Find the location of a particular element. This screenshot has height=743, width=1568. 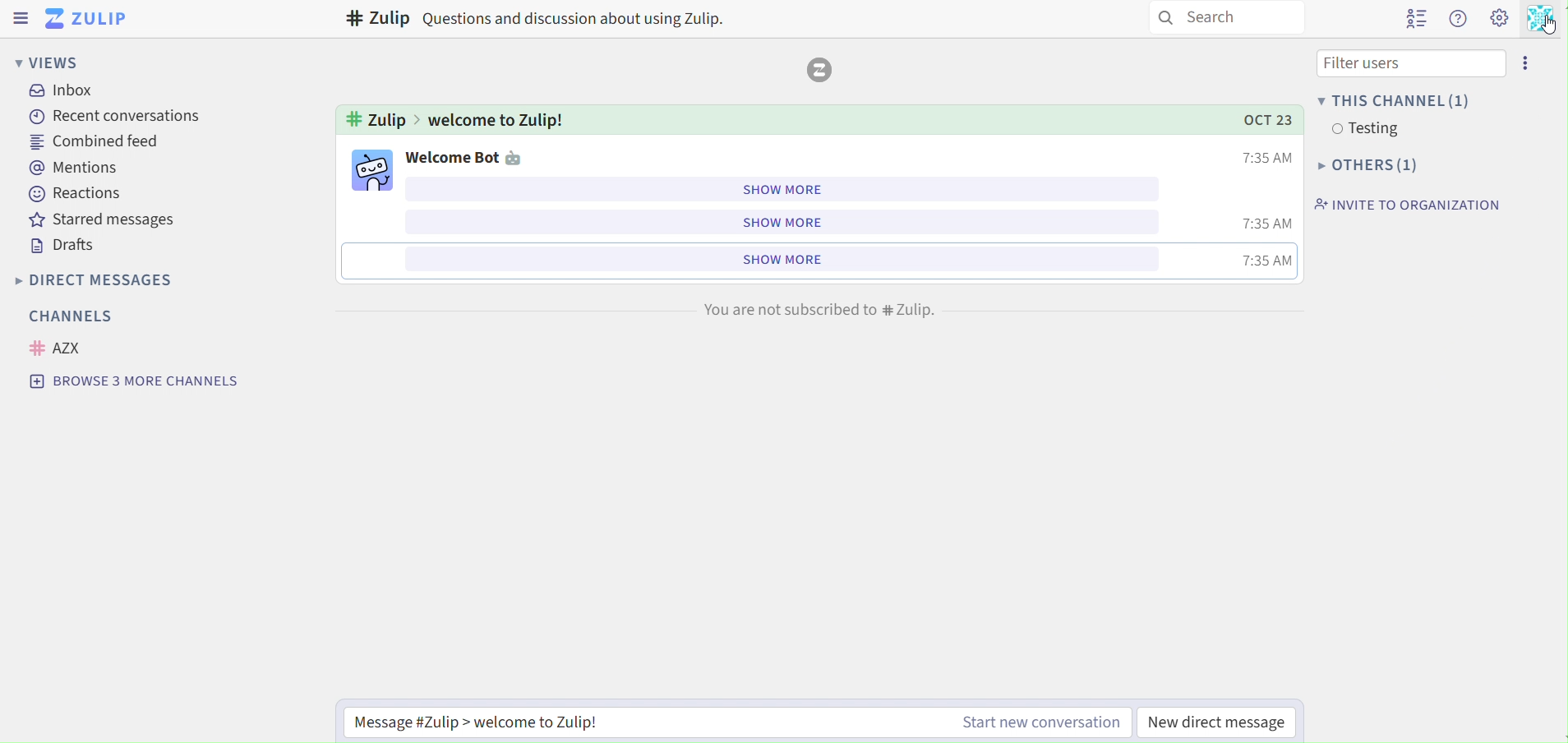

personal menu is located at coordinates (1543, 21).